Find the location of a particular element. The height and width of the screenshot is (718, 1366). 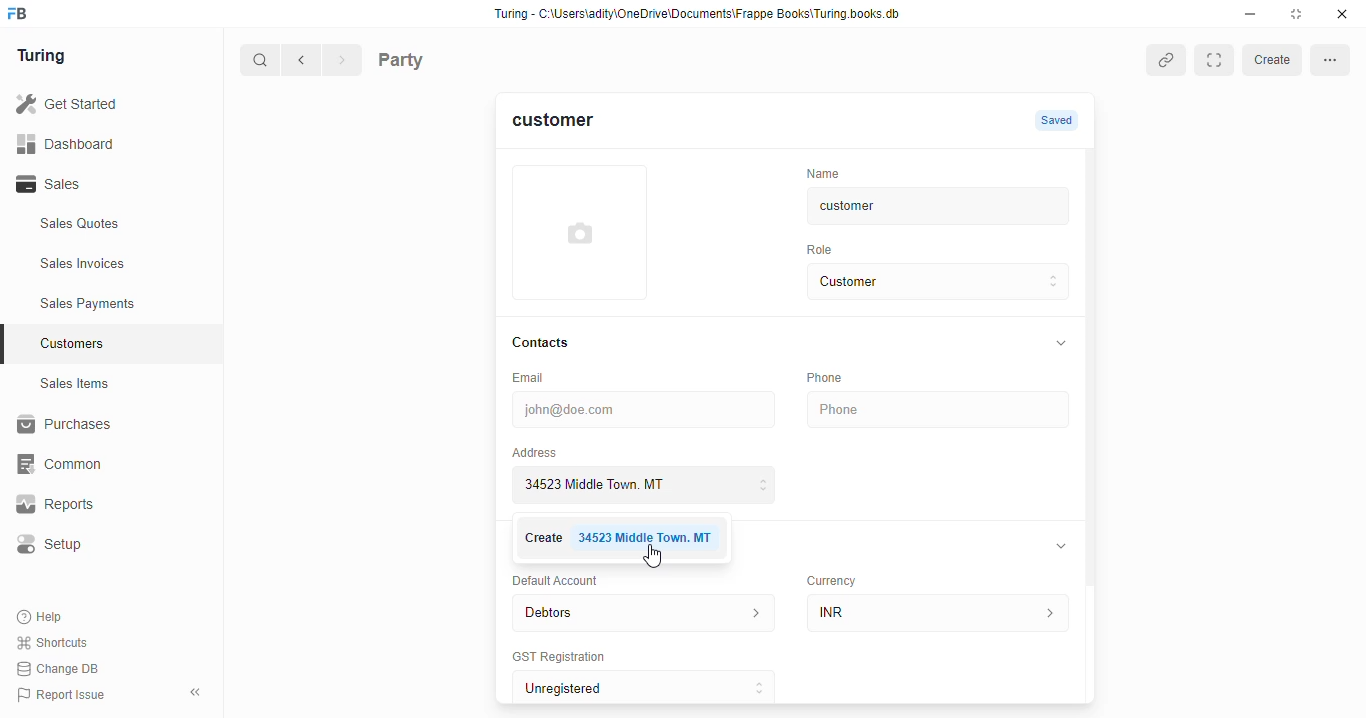

john@doe.com is located at coordinates (641, 408).